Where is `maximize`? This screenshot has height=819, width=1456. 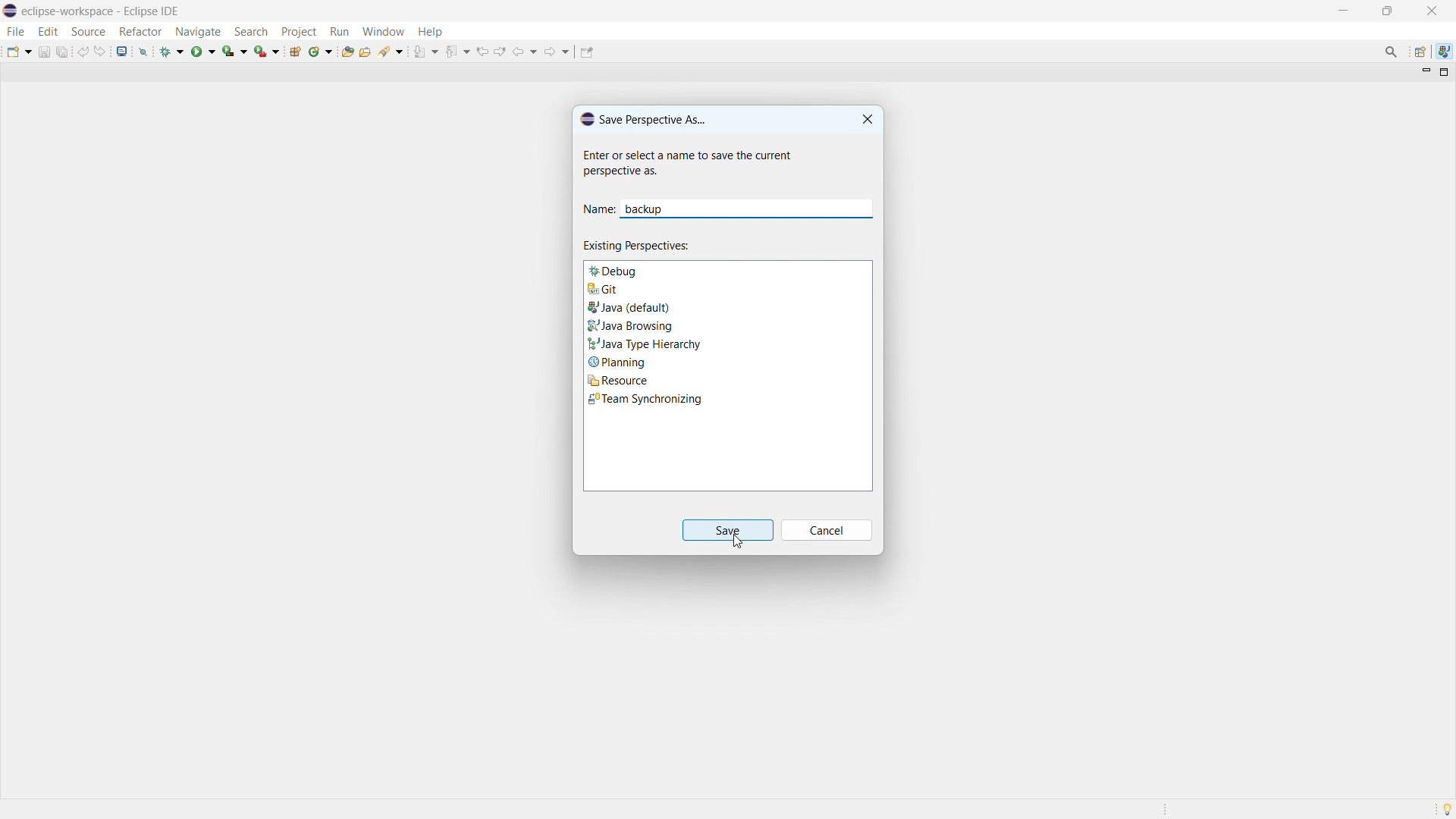 maximize is located at coordinates (1387, 10).